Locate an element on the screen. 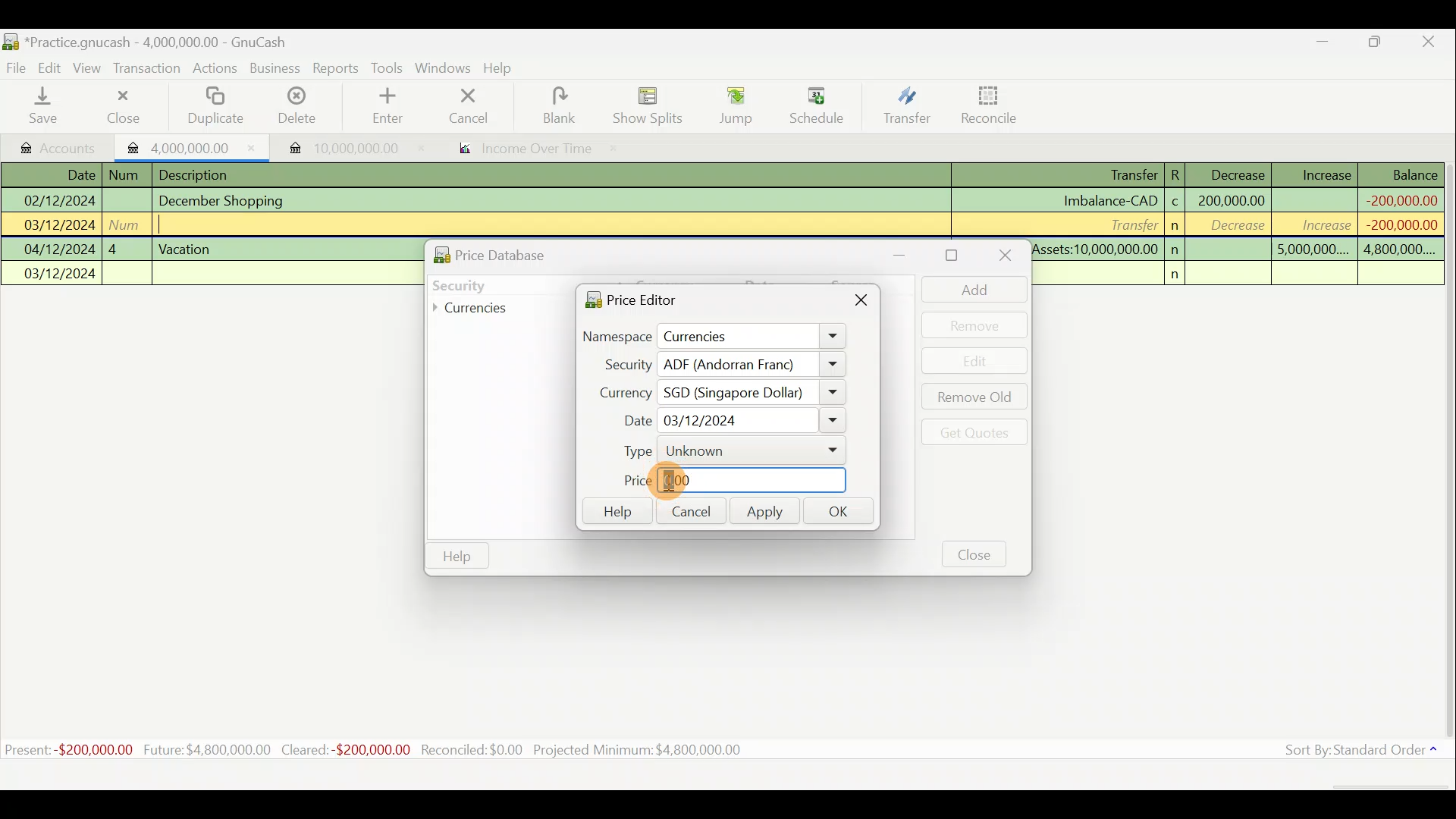 This screenshot has width=1456, height=819. Transfer is located at coordinates (904, 108).